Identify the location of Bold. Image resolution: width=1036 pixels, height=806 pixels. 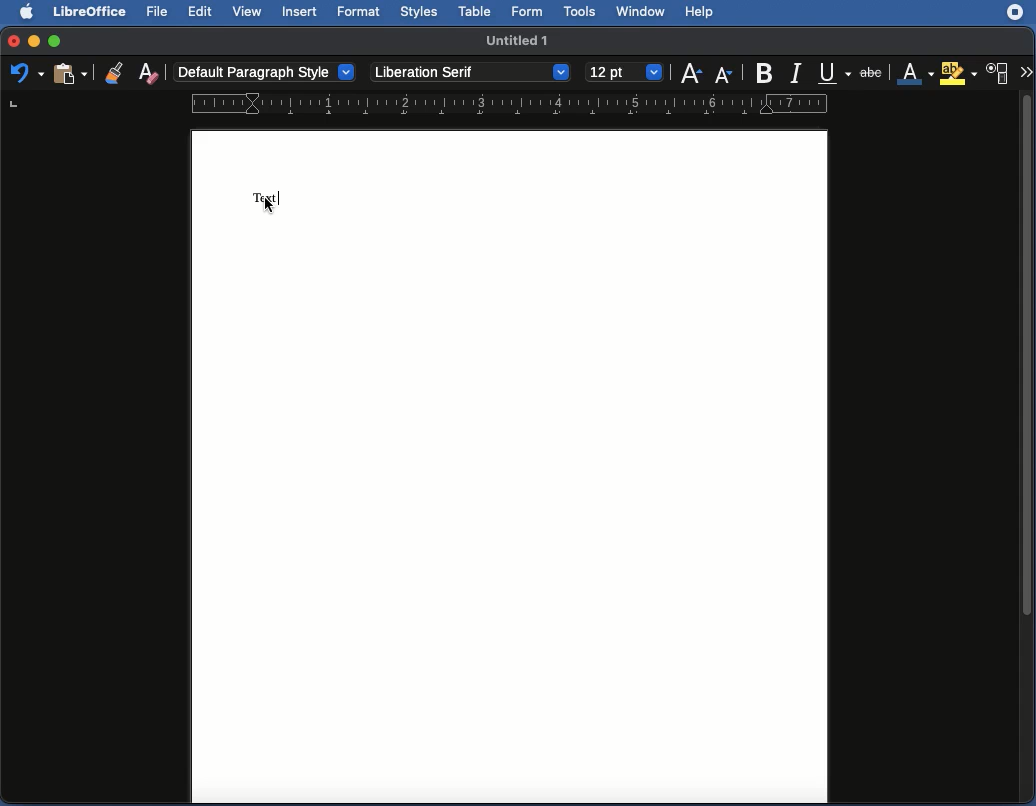
(764, 70).